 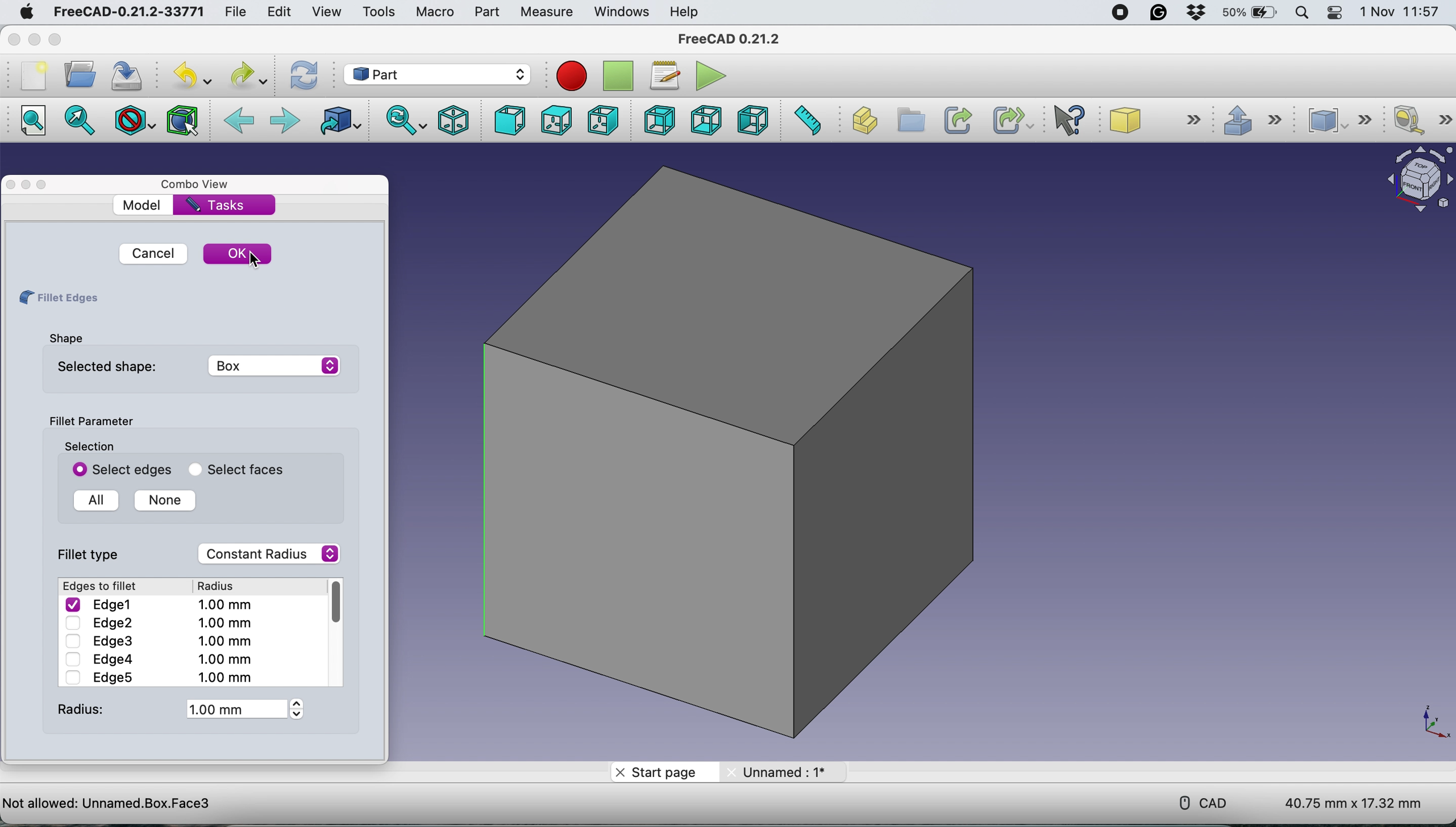 I want to click on help, so click(x=687, y=12).